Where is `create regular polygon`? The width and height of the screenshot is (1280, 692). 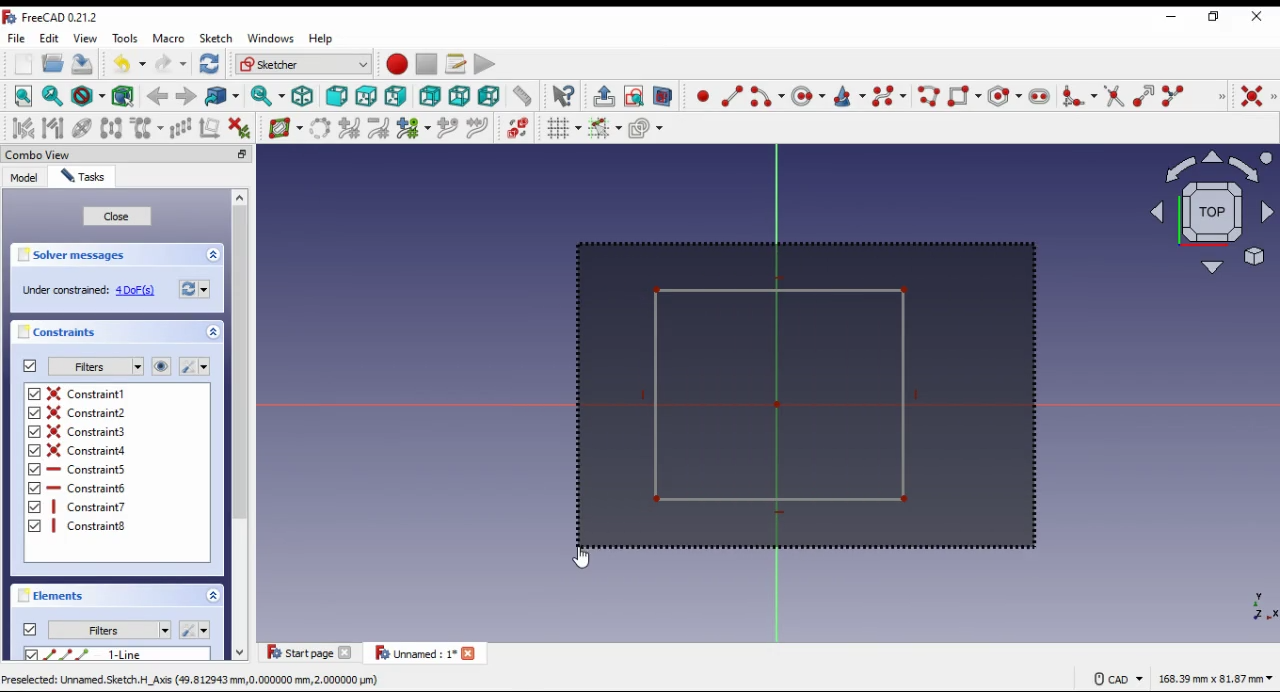
create regular polygon is located at coordinates (1003, 96).